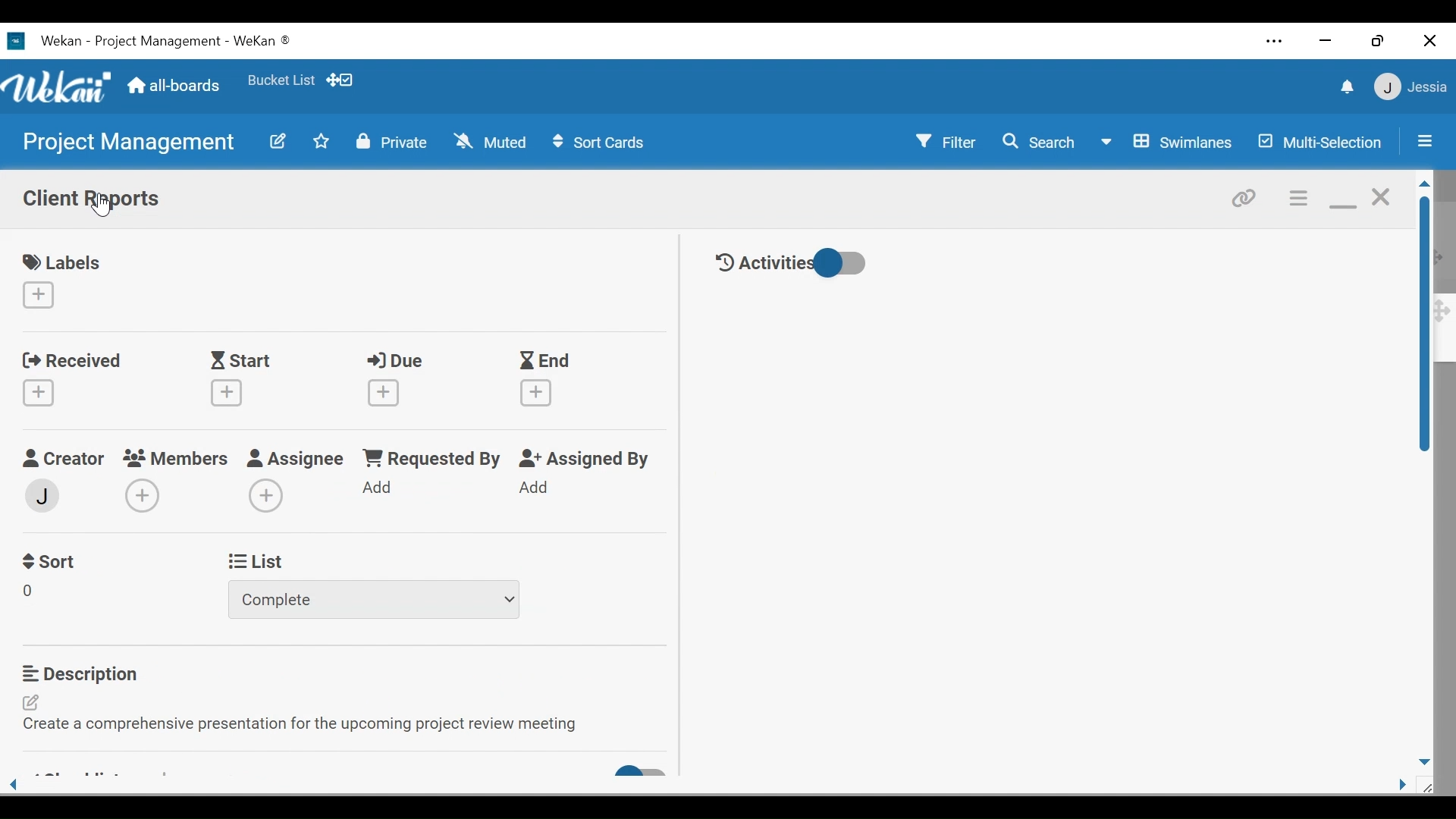  What do you see at coordinates (535, 487) in the screenshot?
I see `Add Assigned By` at bounding box center [535, 487].